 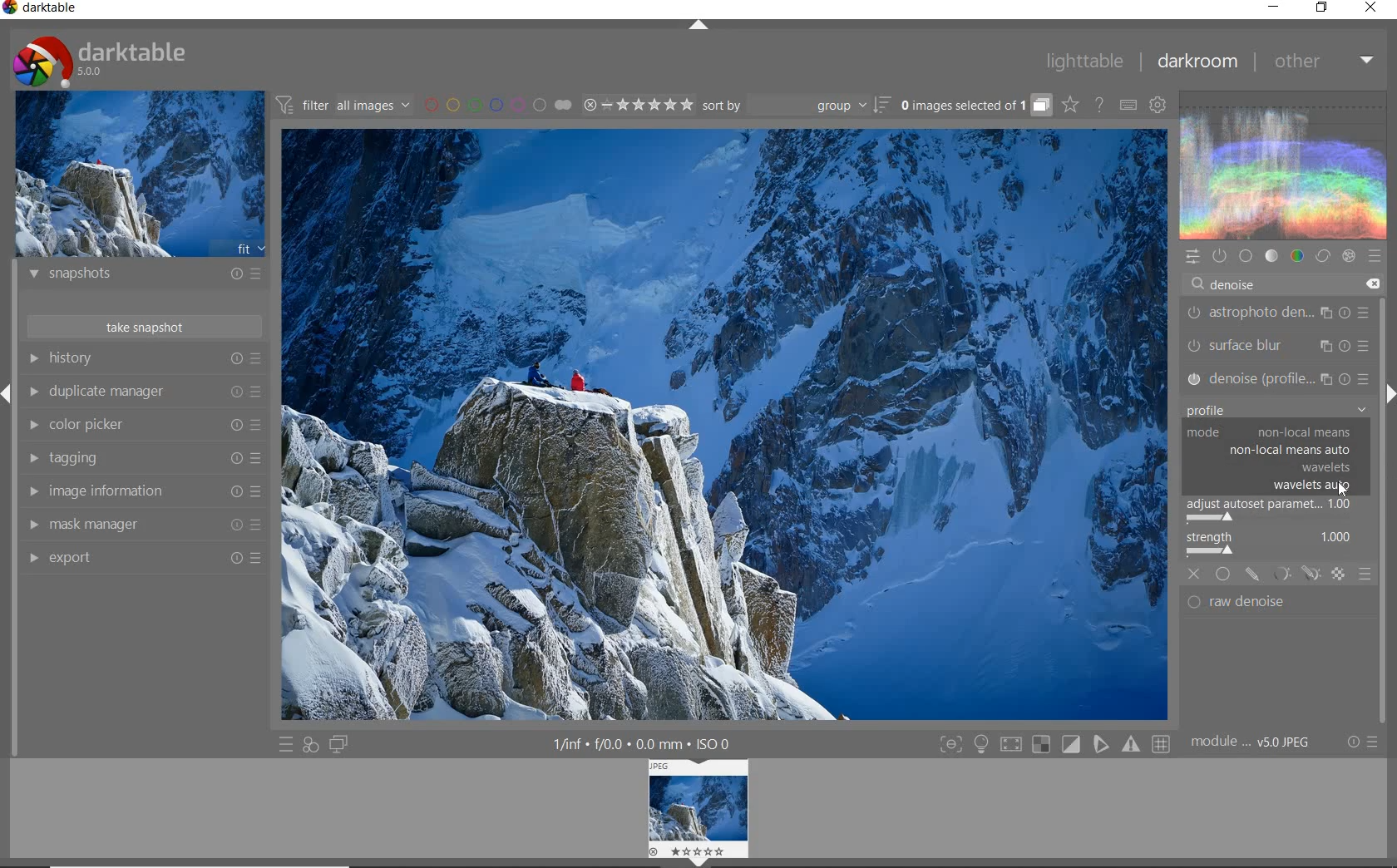 What do you see at coordinates (1128, 105) in the screenshot?
I see `set keyboard shortcuts` at bounding box center [1128, 105].